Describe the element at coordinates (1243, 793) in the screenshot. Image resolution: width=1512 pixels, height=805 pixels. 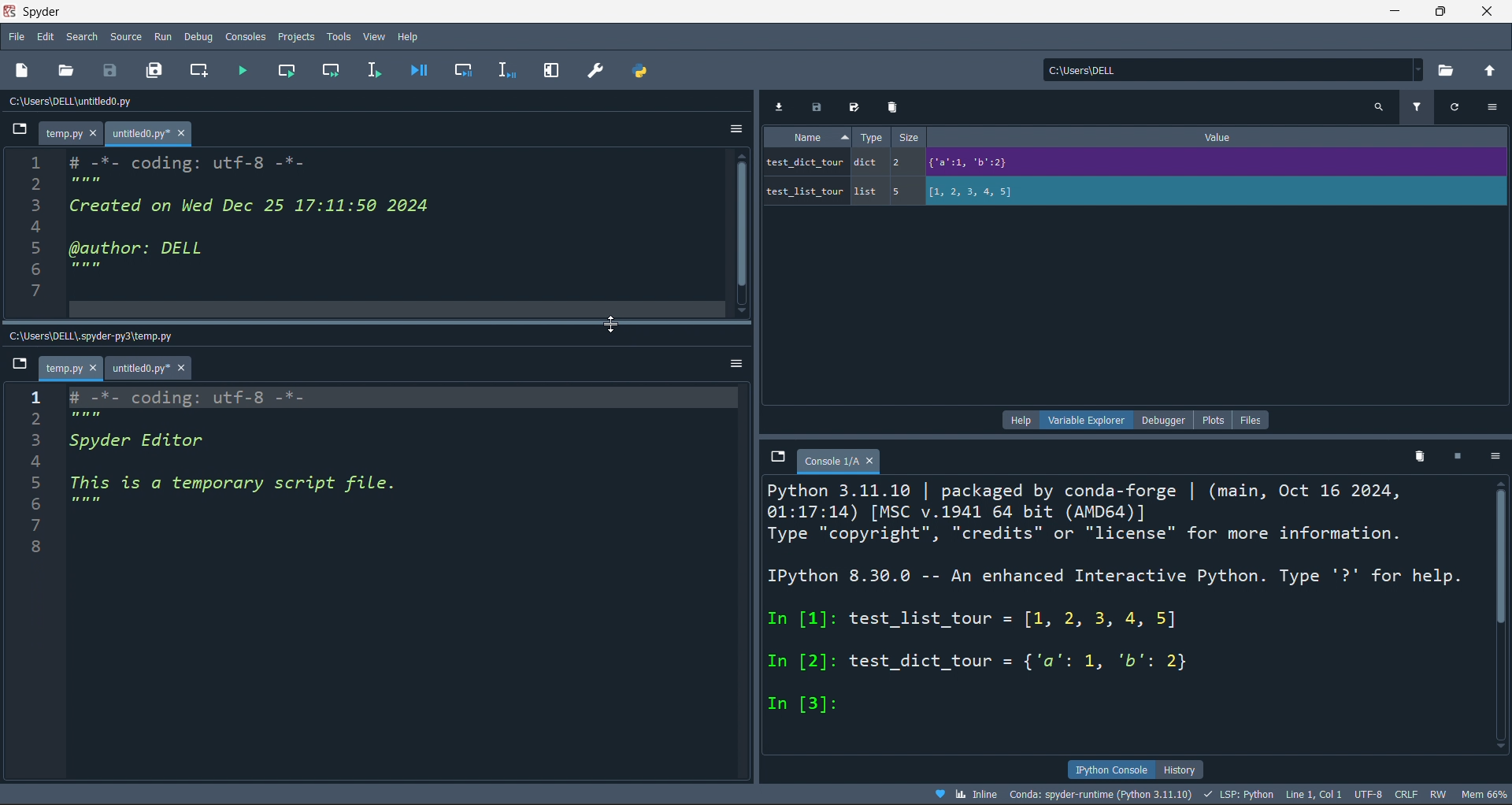
I see `LSP: Python` at that location.